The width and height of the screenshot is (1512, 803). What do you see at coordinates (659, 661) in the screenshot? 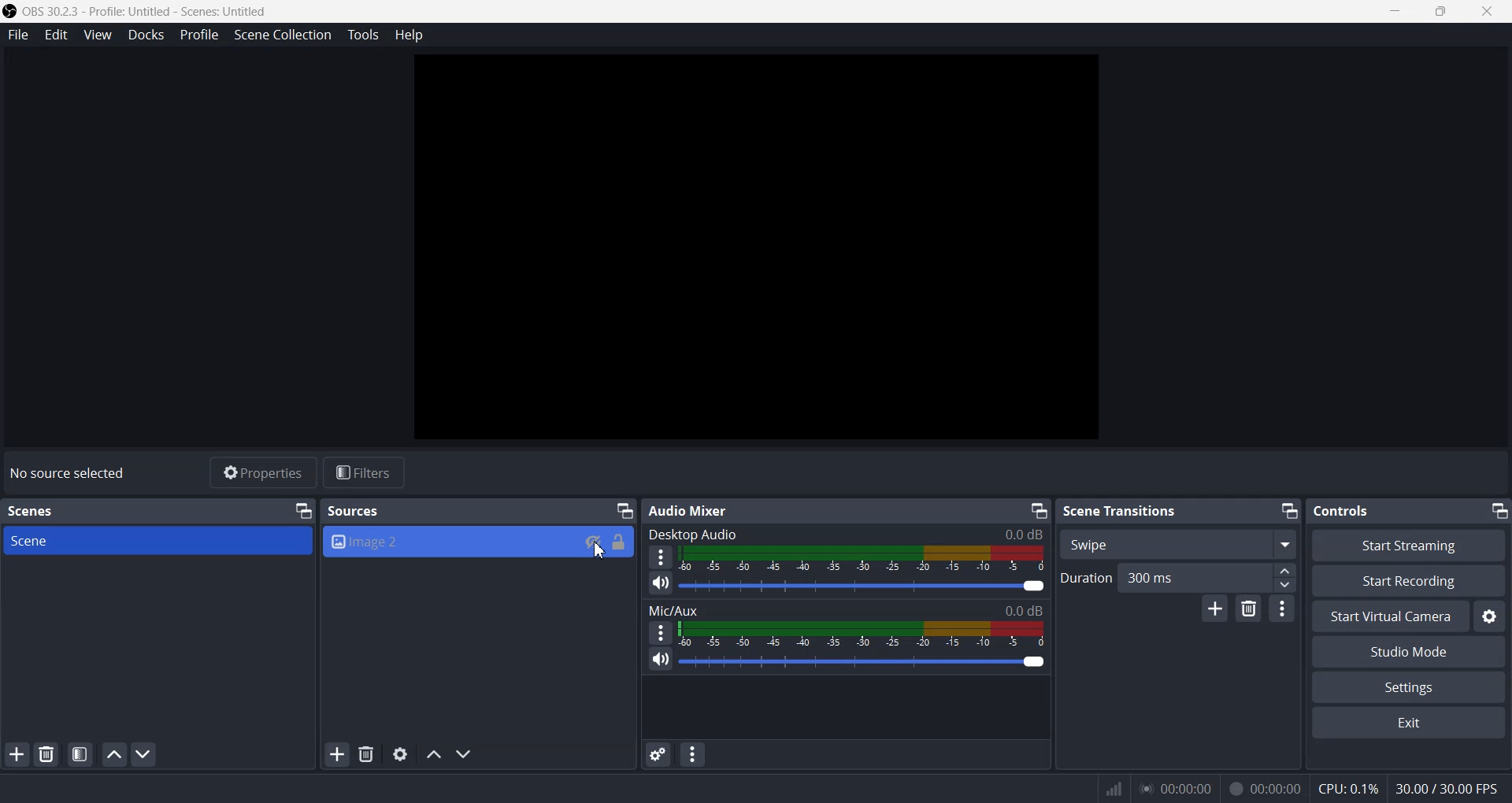
I see `Unmute/ Mute` at bounding box center [659, 661].